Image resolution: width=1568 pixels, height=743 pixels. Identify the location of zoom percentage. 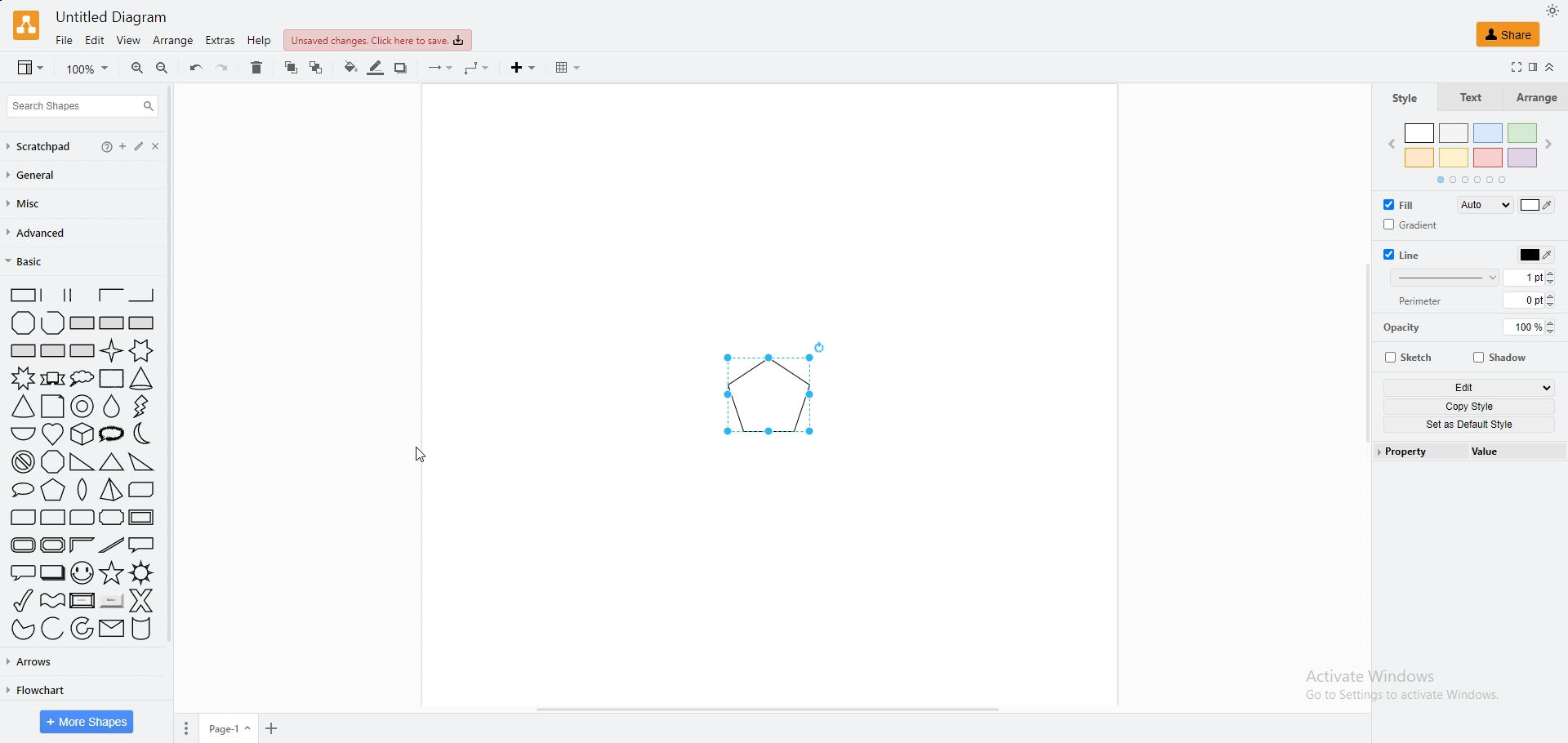
(89, 69).